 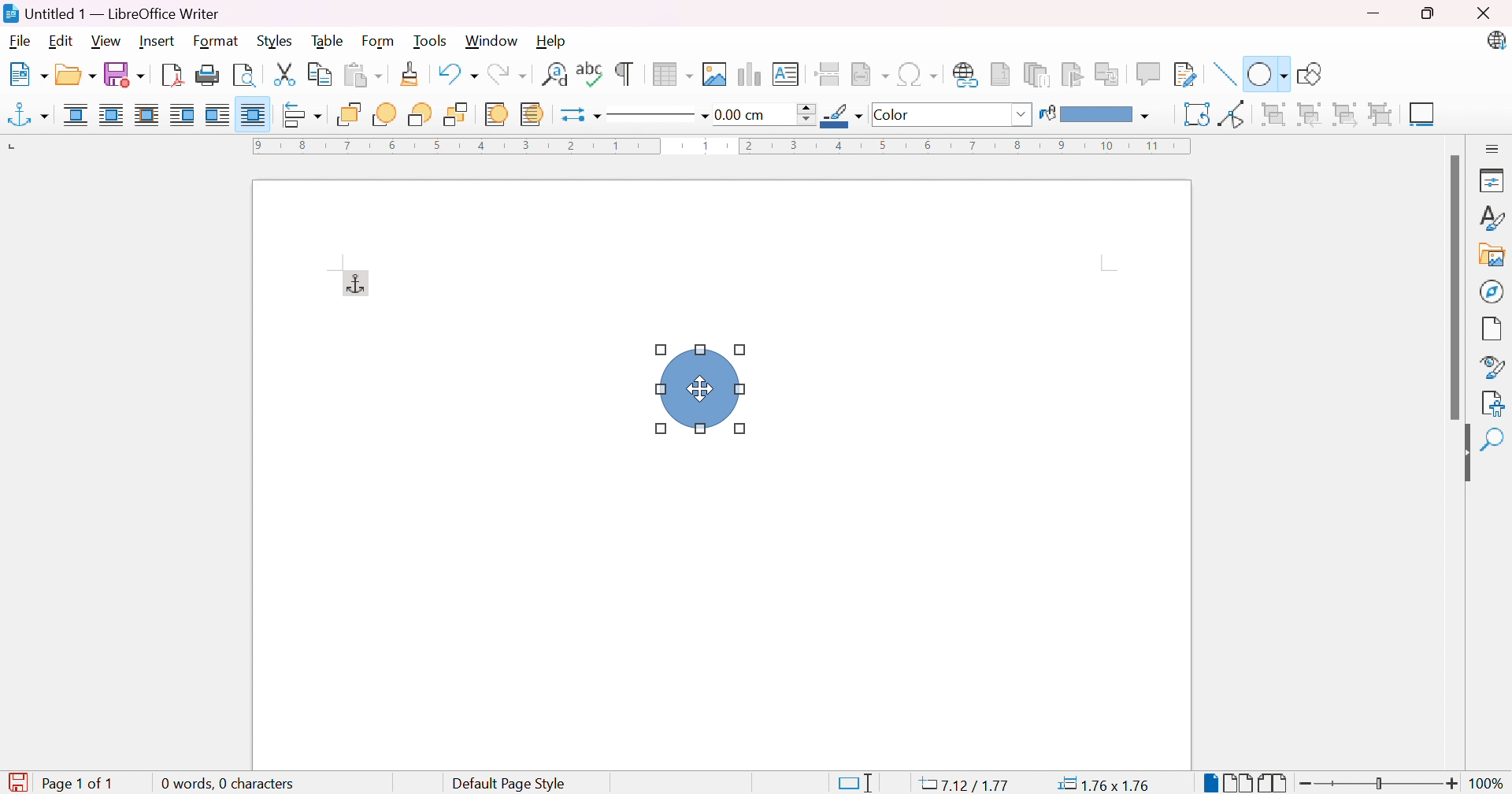 What do you see at coordinates (1491, 477) in the screenshot?
I see `Find` at bounding box center [1491, 477].